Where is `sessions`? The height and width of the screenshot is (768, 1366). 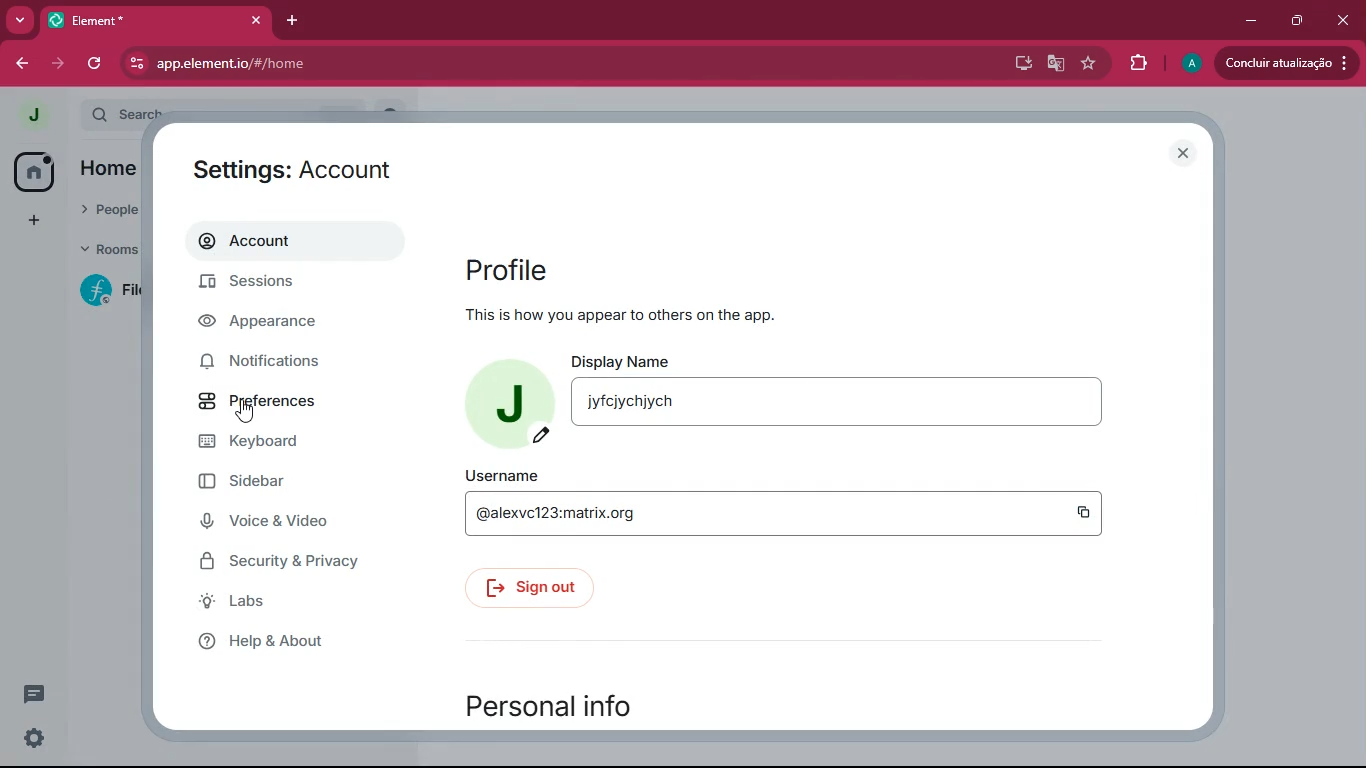
sessions is located at coordinates (288, 288).